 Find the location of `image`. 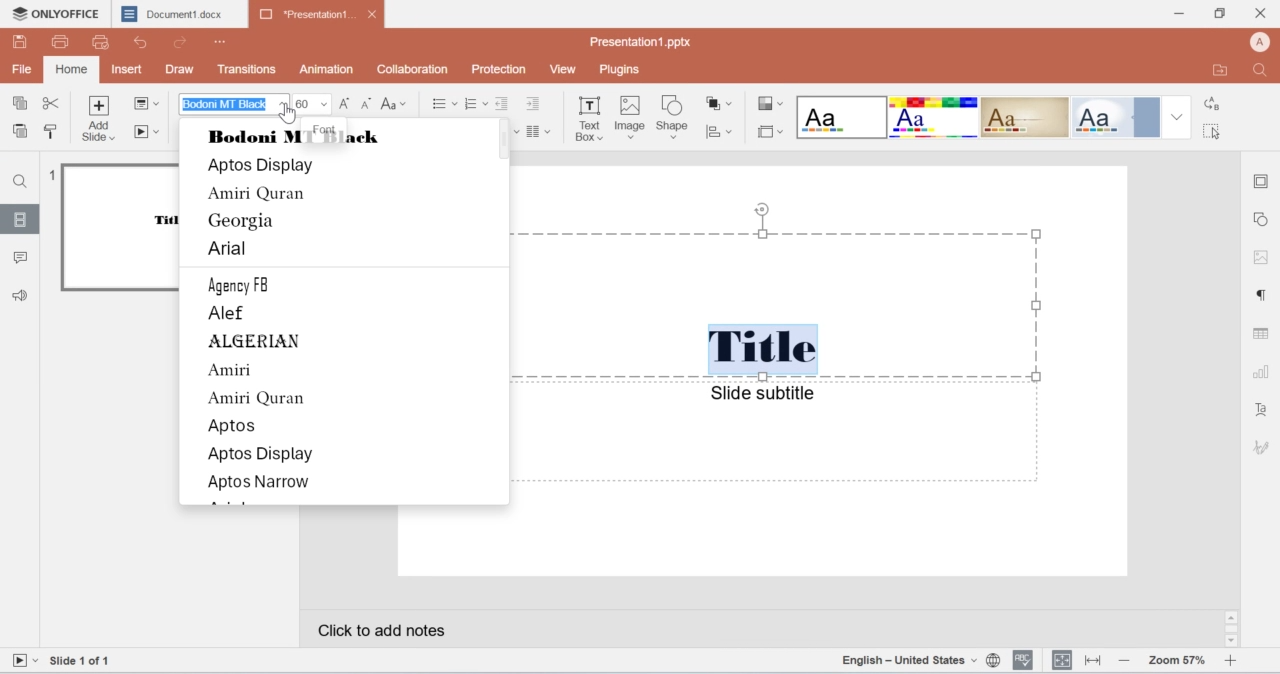

image is located at coordinates (629, 119).